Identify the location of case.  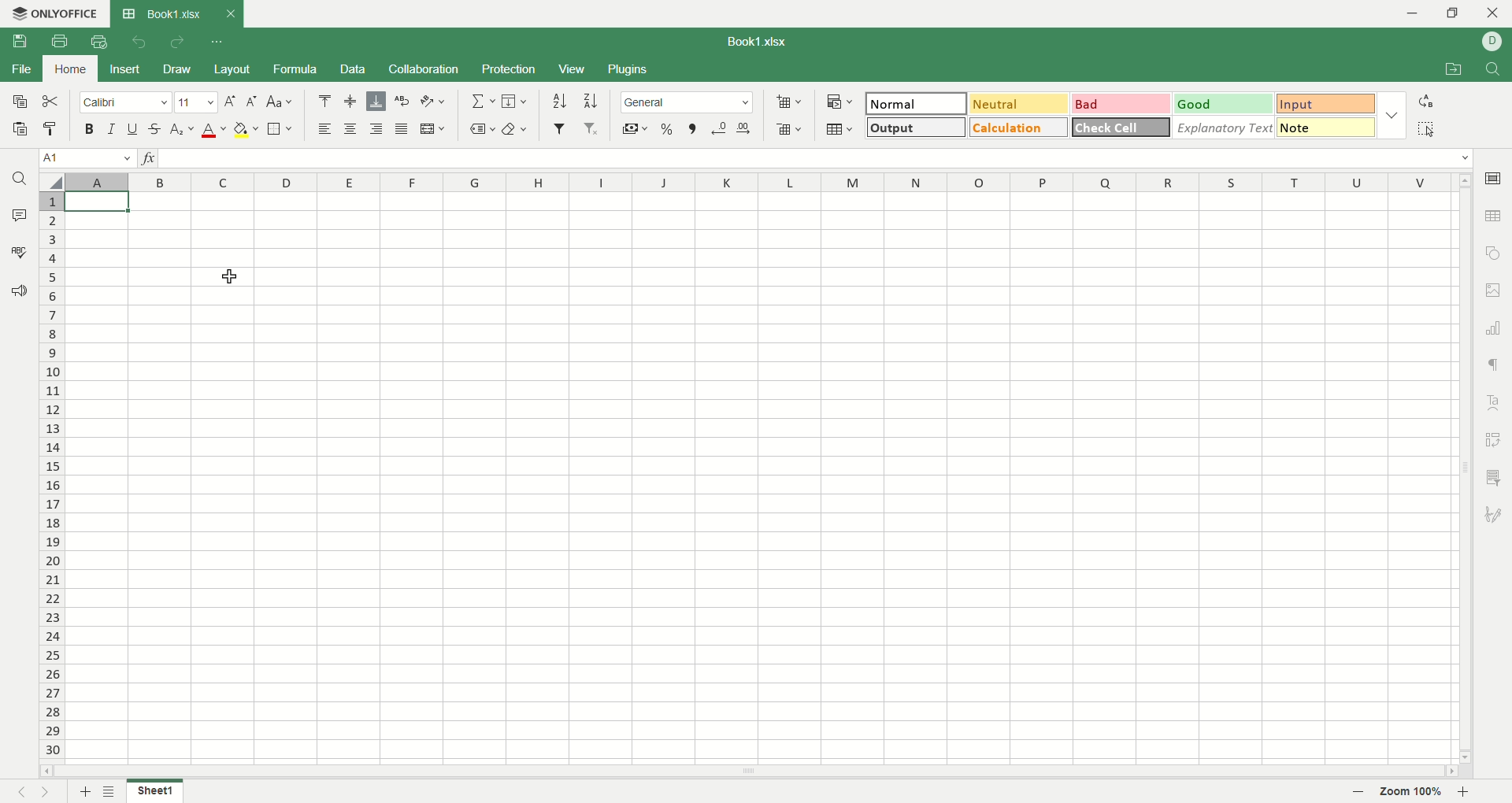
(280, 101).